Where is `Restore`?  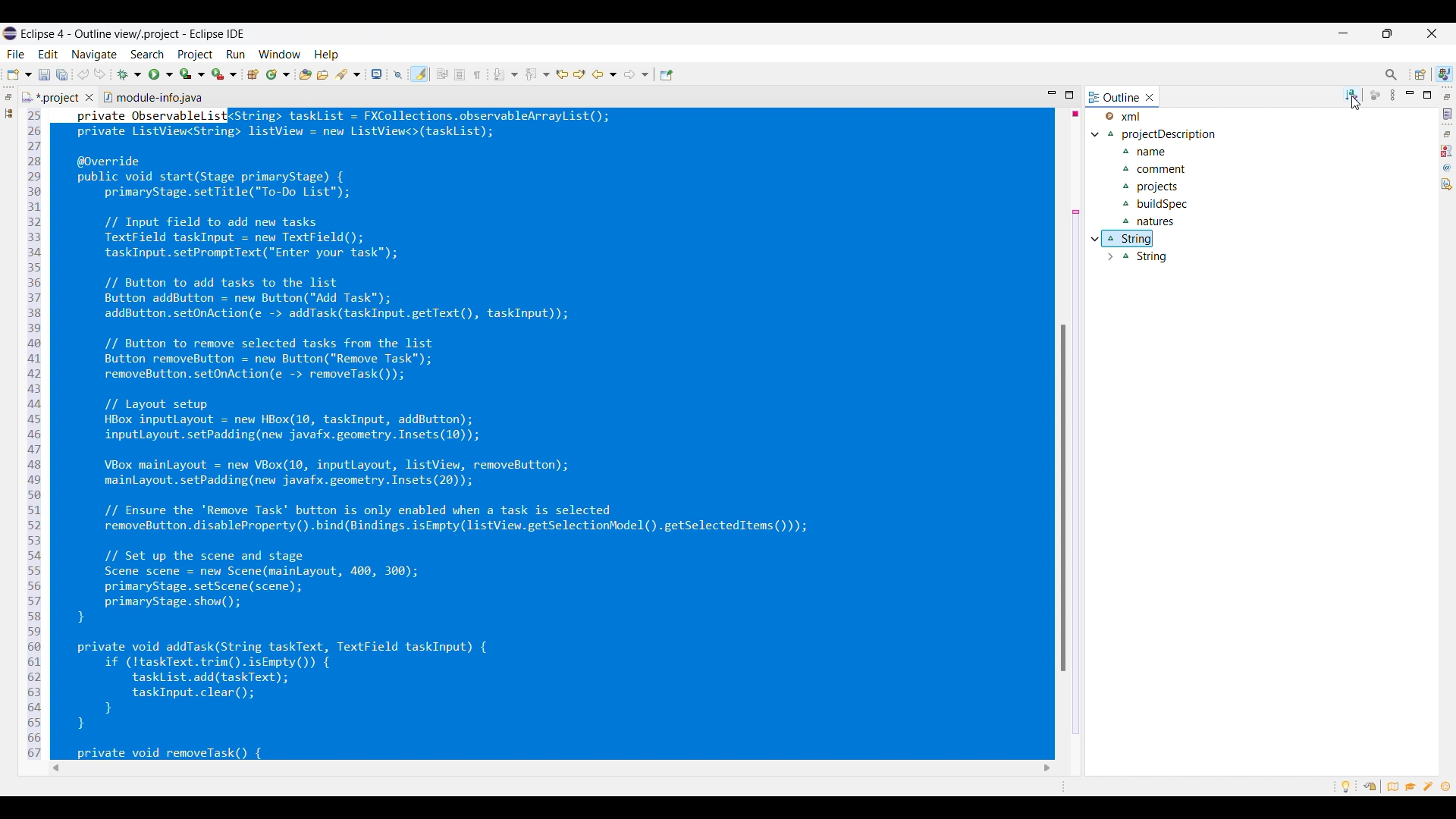 Restore is located at coordinates (8, 97).